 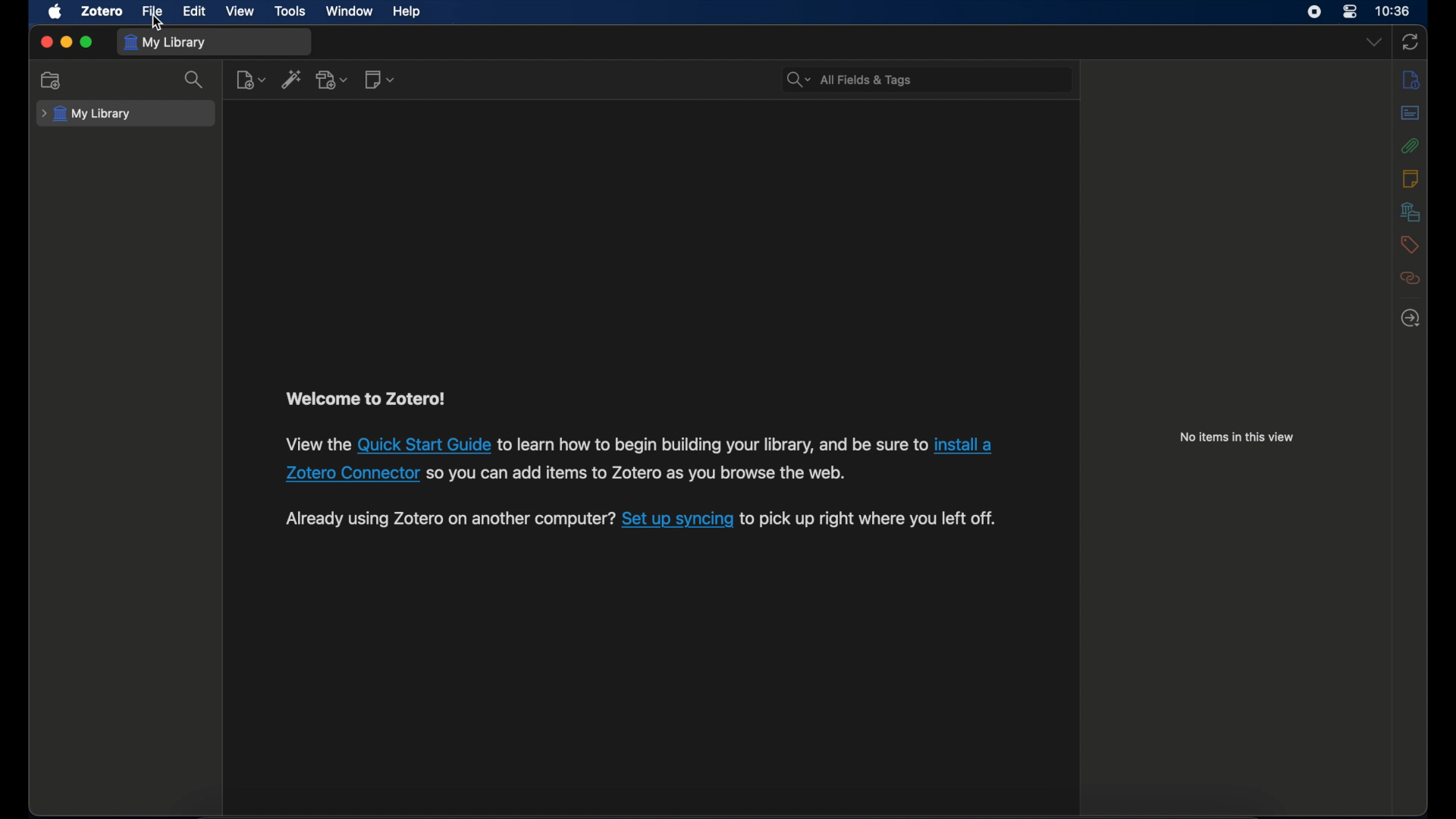 What do you see at coordinates (1410, 279) in the screenshot?
I see `related` at bounding box center [1410, 279].